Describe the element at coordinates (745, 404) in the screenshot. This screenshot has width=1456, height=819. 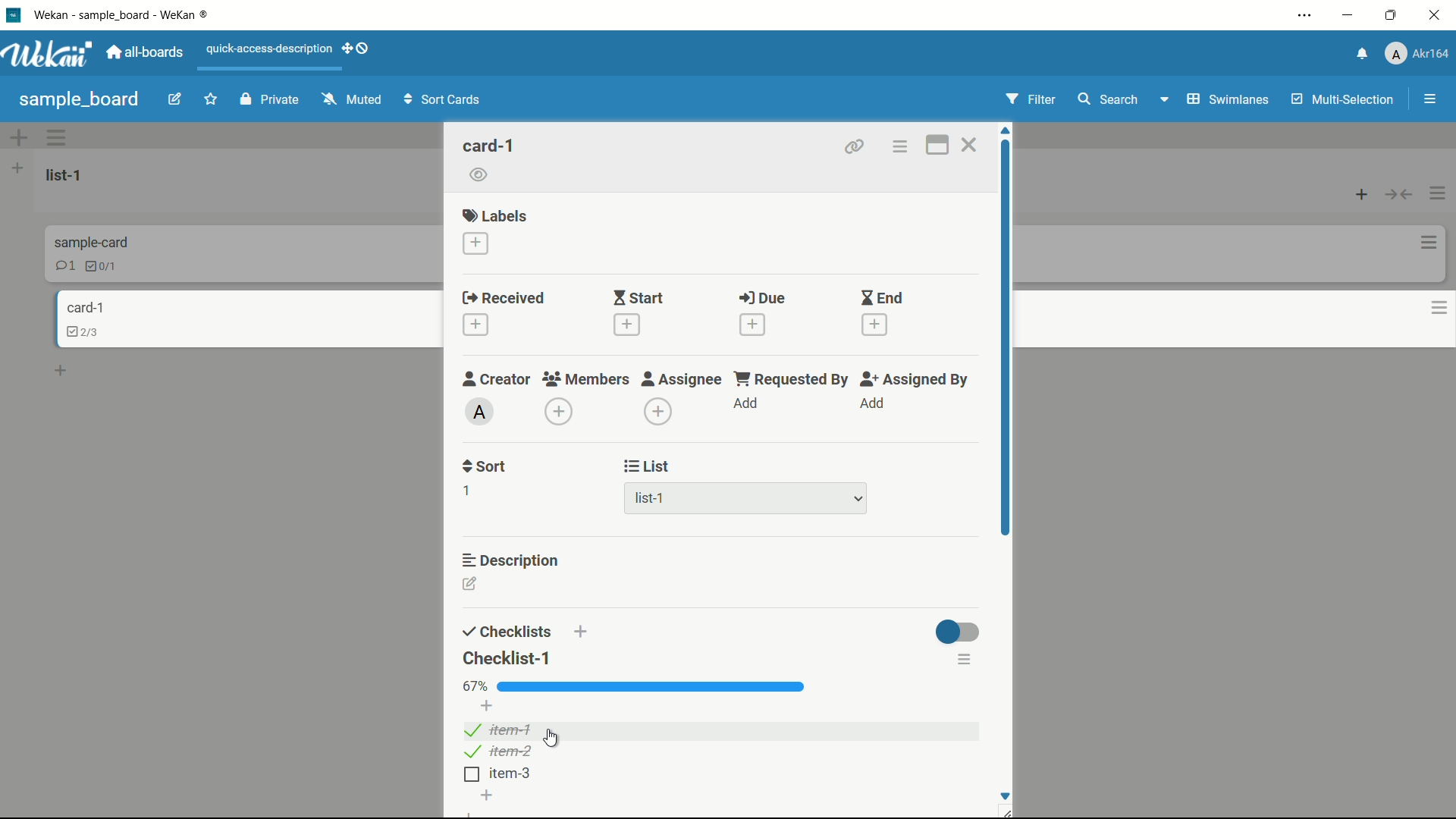
I see `add` at that location.